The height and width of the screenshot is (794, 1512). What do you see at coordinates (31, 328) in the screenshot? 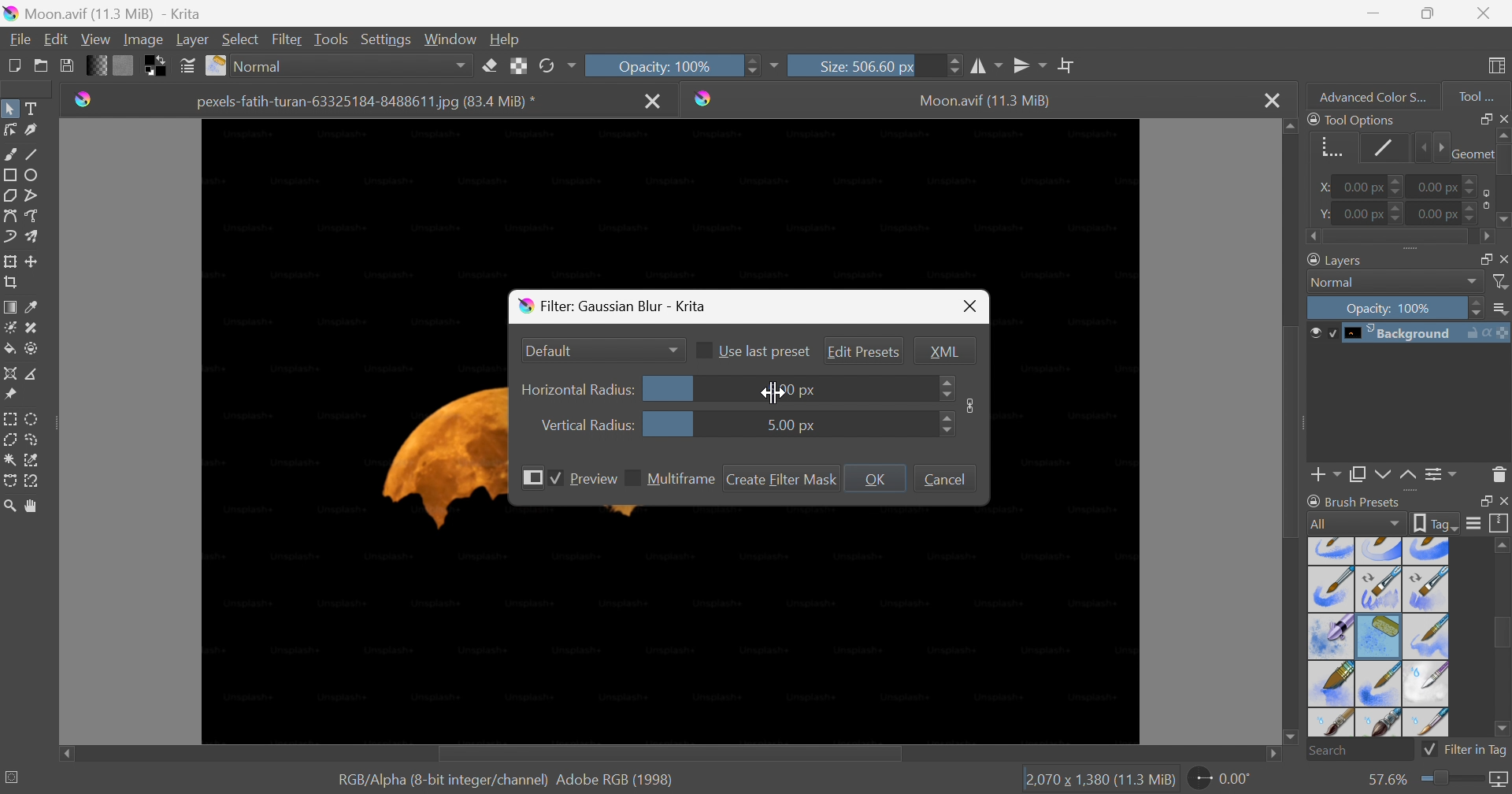
I see `Patch tool` at bounding box center [31, 328].